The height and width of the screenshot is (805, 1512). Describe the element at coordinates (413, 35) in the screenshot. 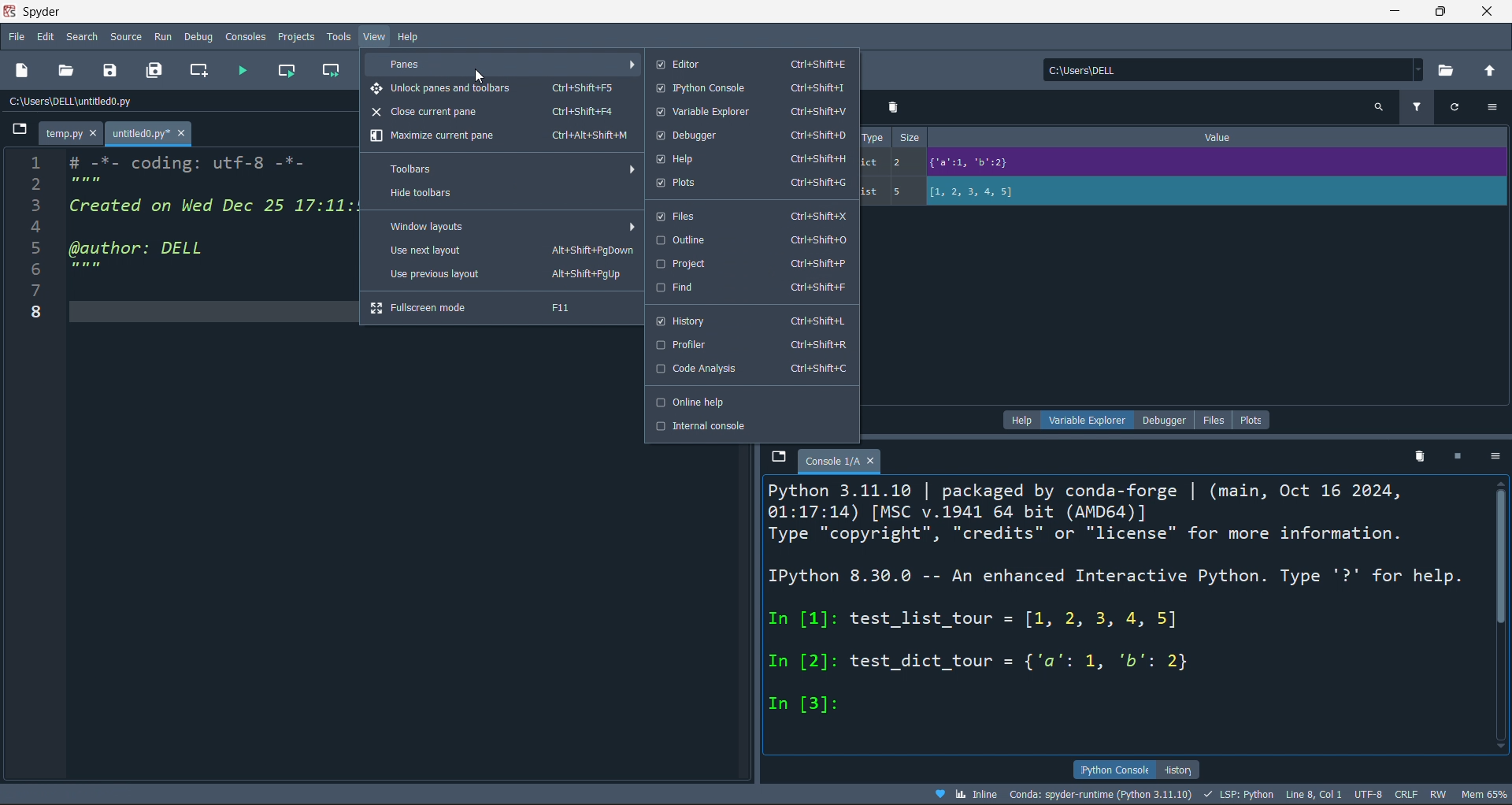

I see `help` at that location.